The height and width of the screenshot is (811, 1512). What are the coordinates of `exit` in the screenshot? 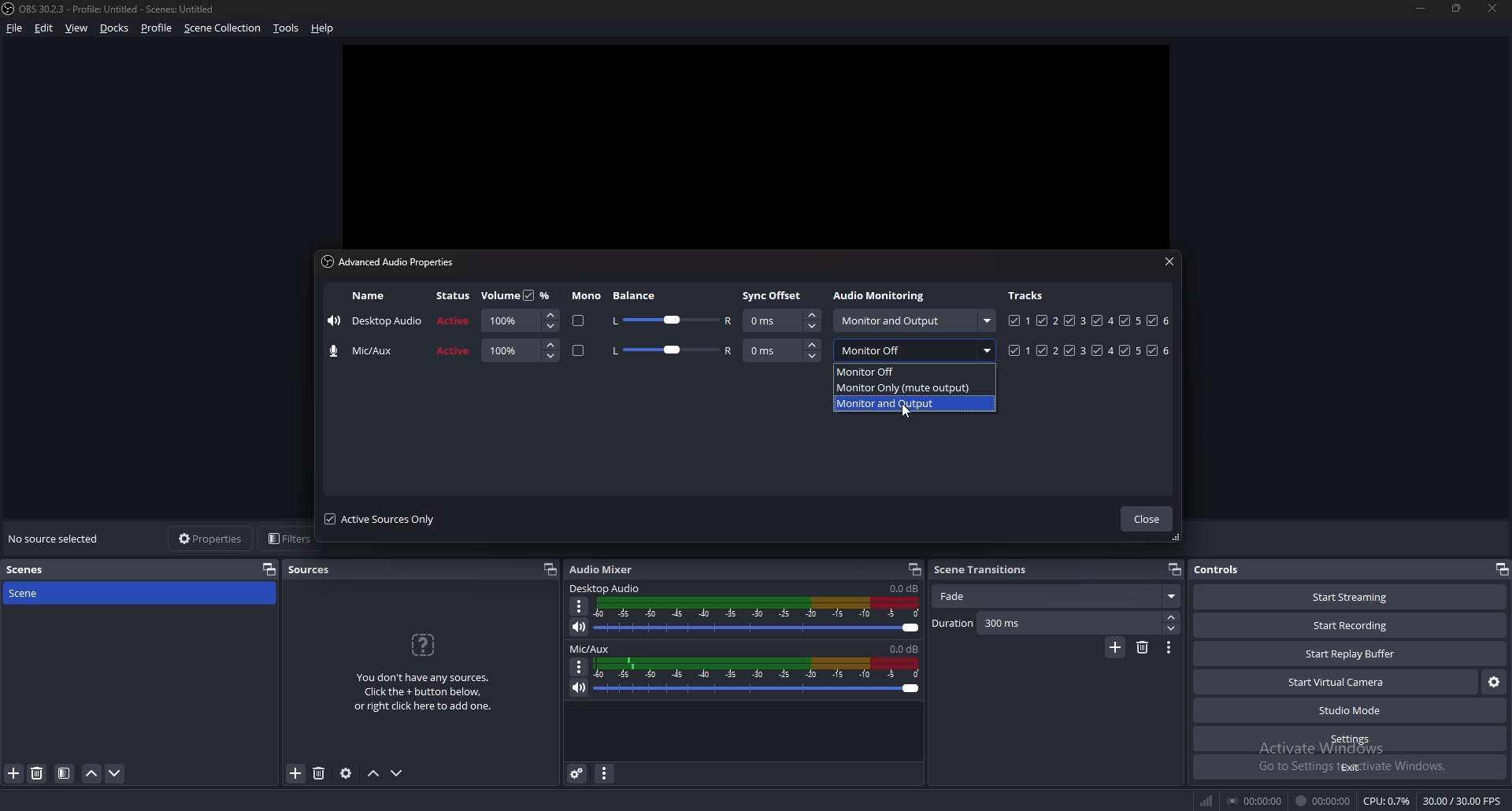 It's located at (1348, 767).